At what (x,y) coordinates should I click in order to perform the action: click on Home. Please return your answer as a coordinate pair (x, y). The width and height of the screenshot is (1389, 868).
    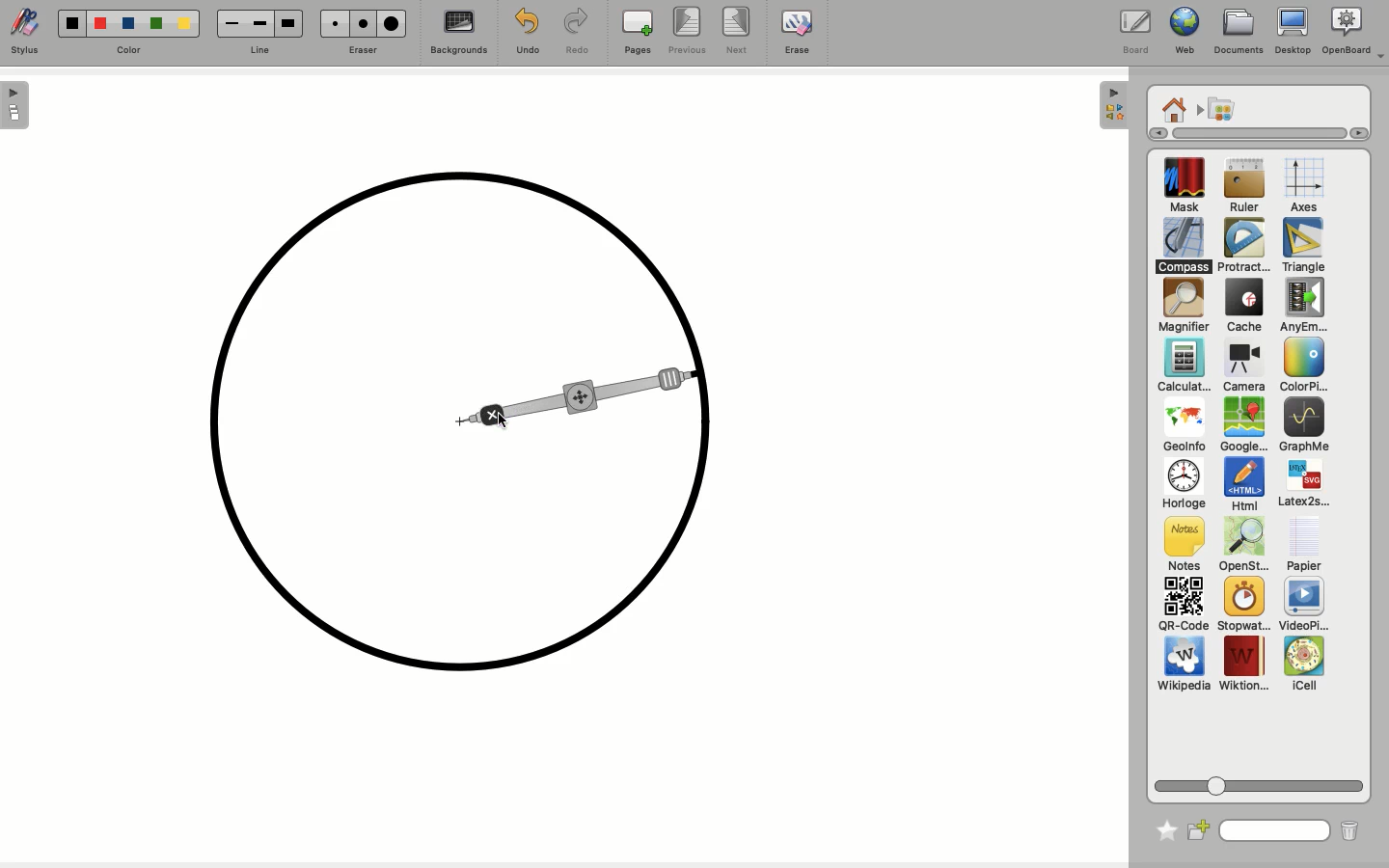
    Looking at the image, I should click on (1174, 108).